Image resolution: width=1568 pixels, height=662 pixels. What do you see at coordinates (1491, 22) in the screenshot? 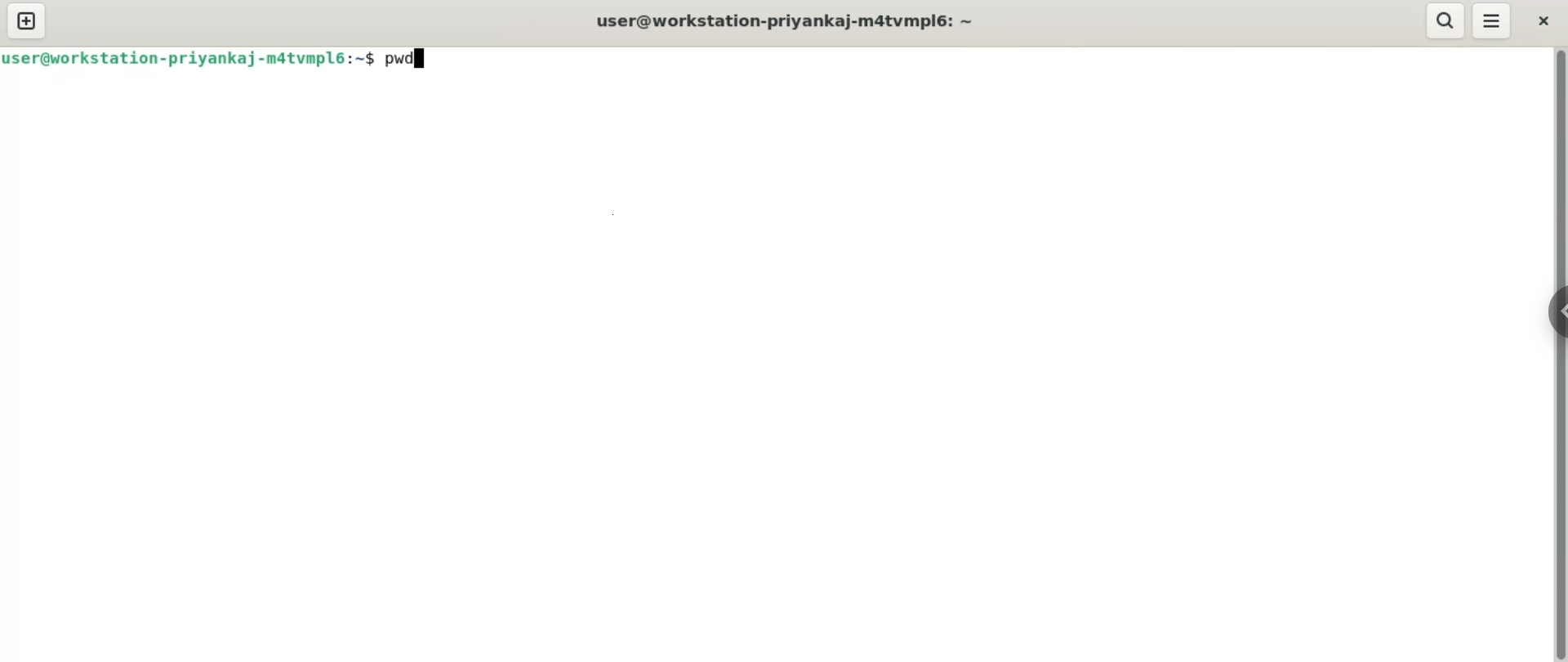
I see `menu` at bounding box center [1491, 22].